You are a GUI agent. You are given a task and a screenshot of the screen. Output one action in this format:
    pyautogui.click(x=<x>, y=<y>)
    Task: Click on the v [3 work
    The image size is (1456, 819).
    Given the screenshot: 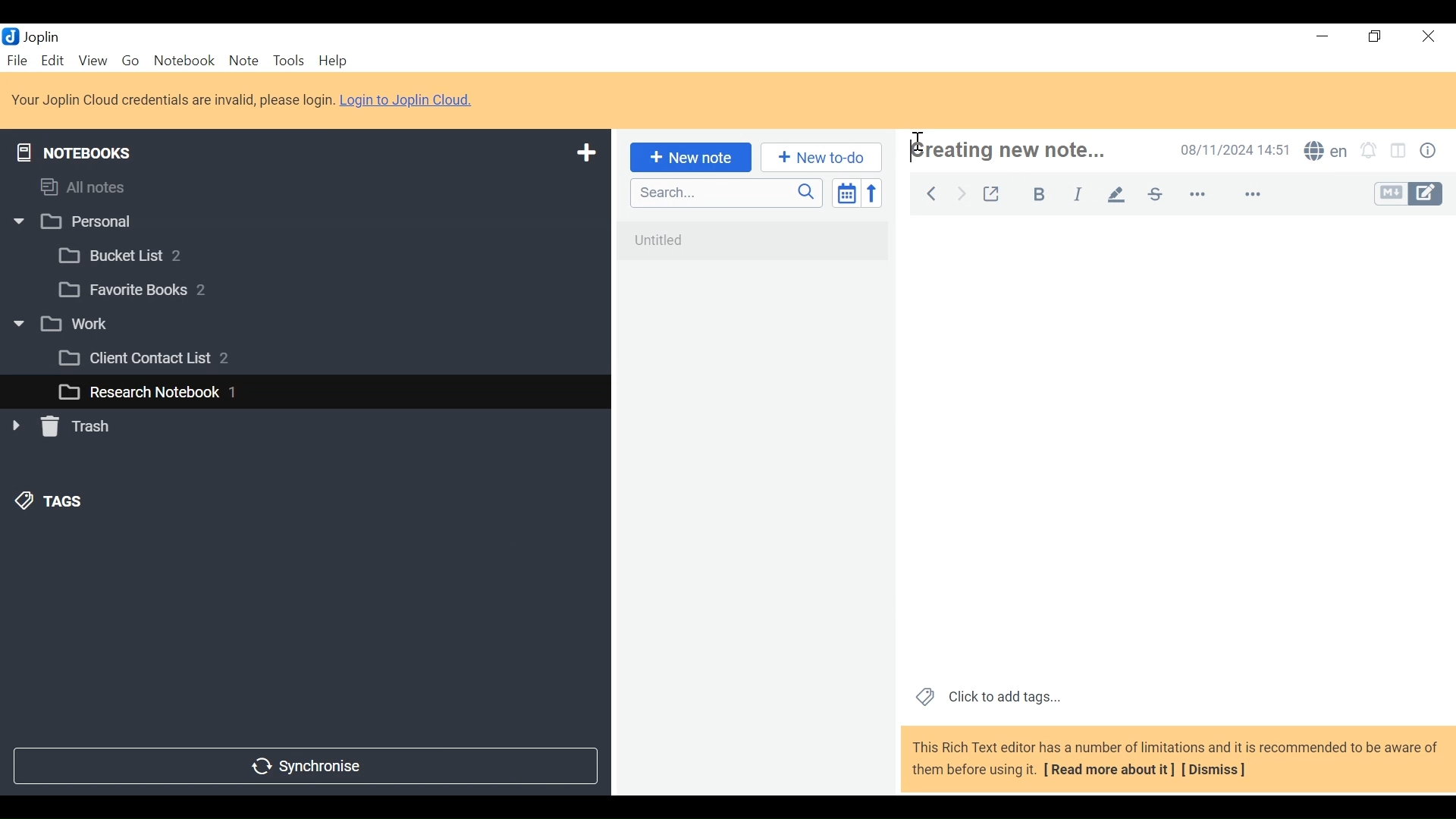 What is the action you would take?
    pyautogui.click(x=78, y=325)
    